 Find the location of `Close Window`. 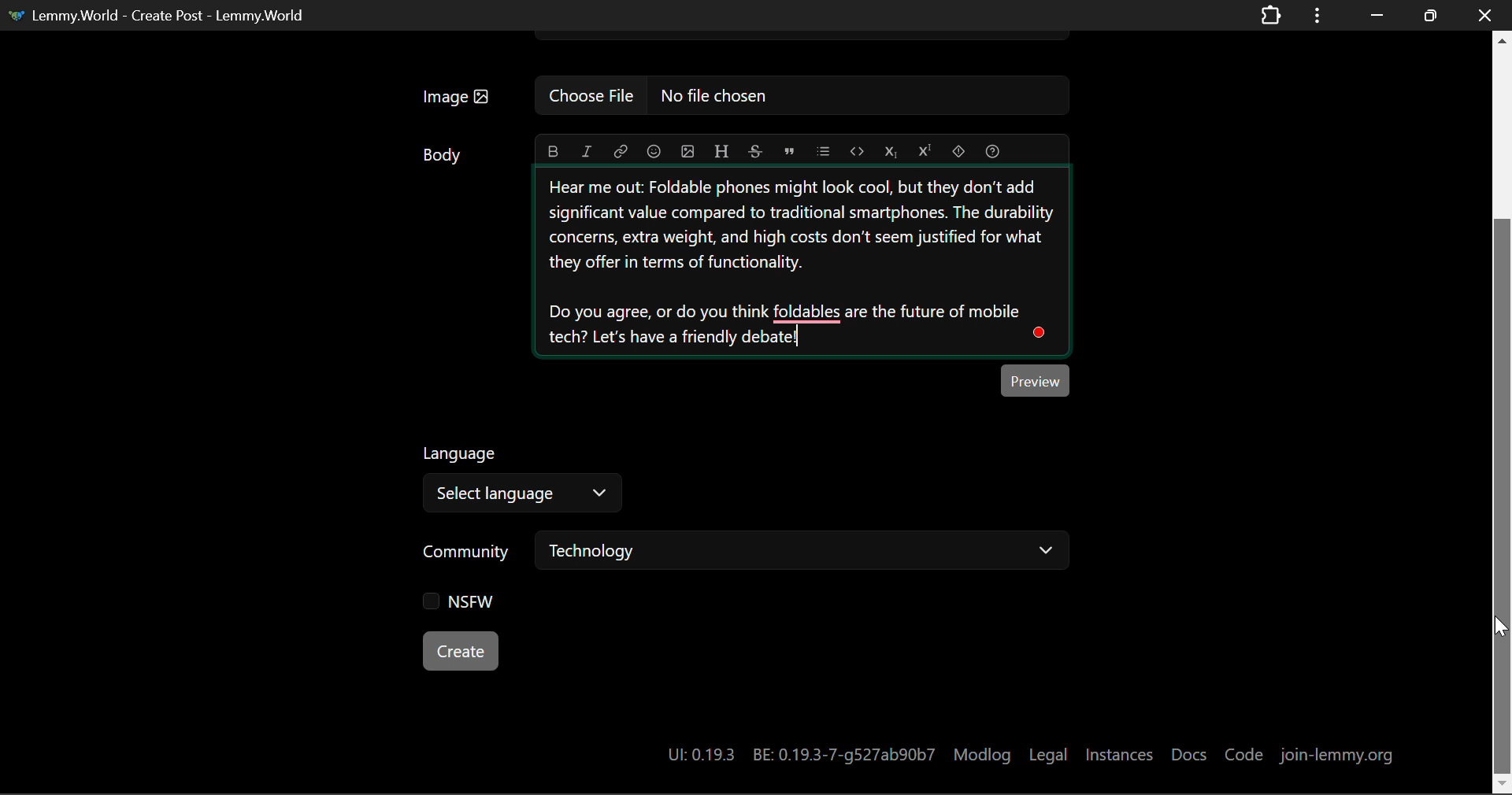

Close Window is located at coordinates (1485, 14).